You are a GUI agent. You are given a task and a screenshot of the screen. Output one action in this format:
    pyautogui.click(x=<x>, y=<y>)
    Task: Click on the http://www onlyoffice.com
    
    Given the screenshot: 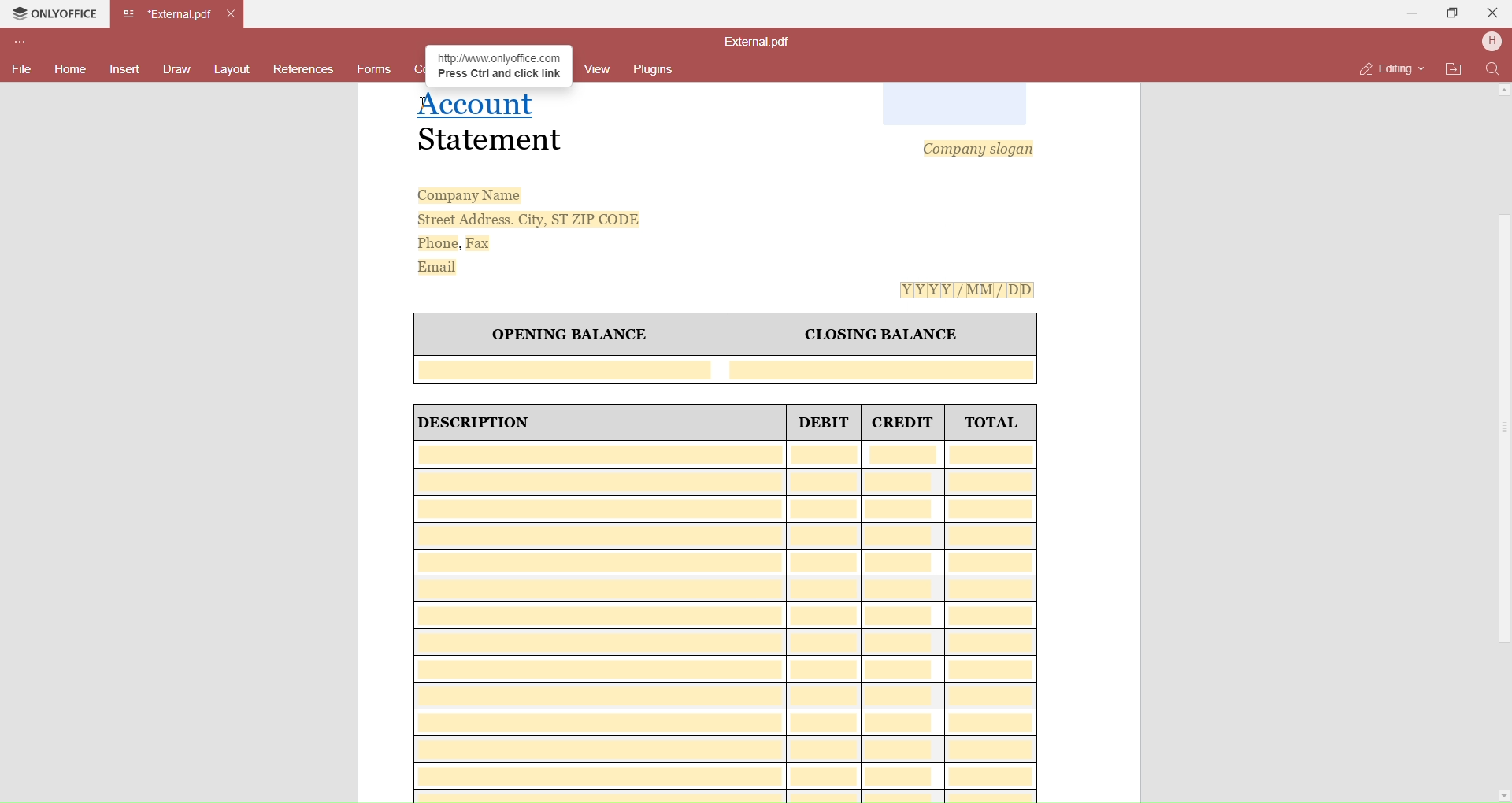 What is the action you would take?
    pyautogui.click(x=501, y=58)
    